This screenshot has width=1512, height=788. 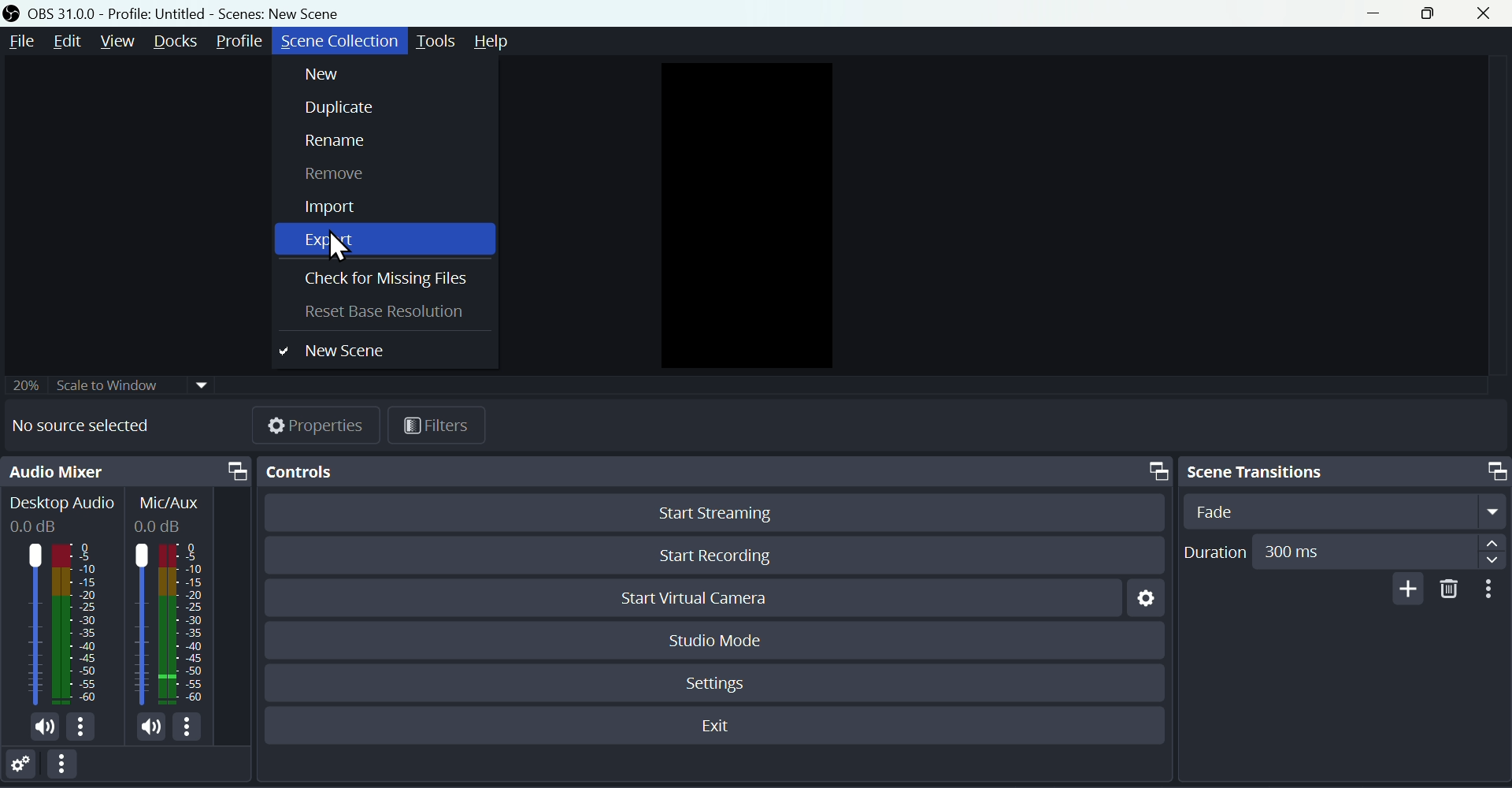 What do you see at coordinates (18, 42) in the screenshot?
I see `` at bounding box center [18, 42].